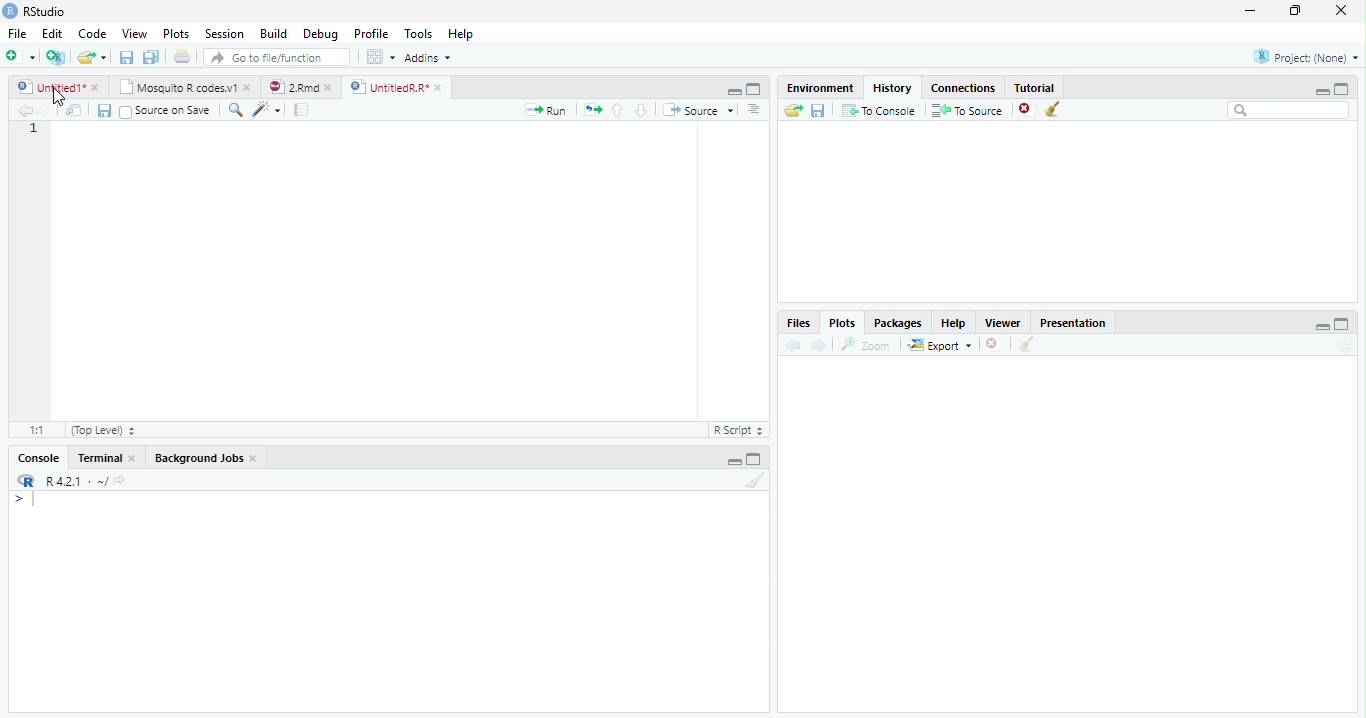 The height and width of the screenshot is (718, 1366). I want to click on Console, so click(38, 460).